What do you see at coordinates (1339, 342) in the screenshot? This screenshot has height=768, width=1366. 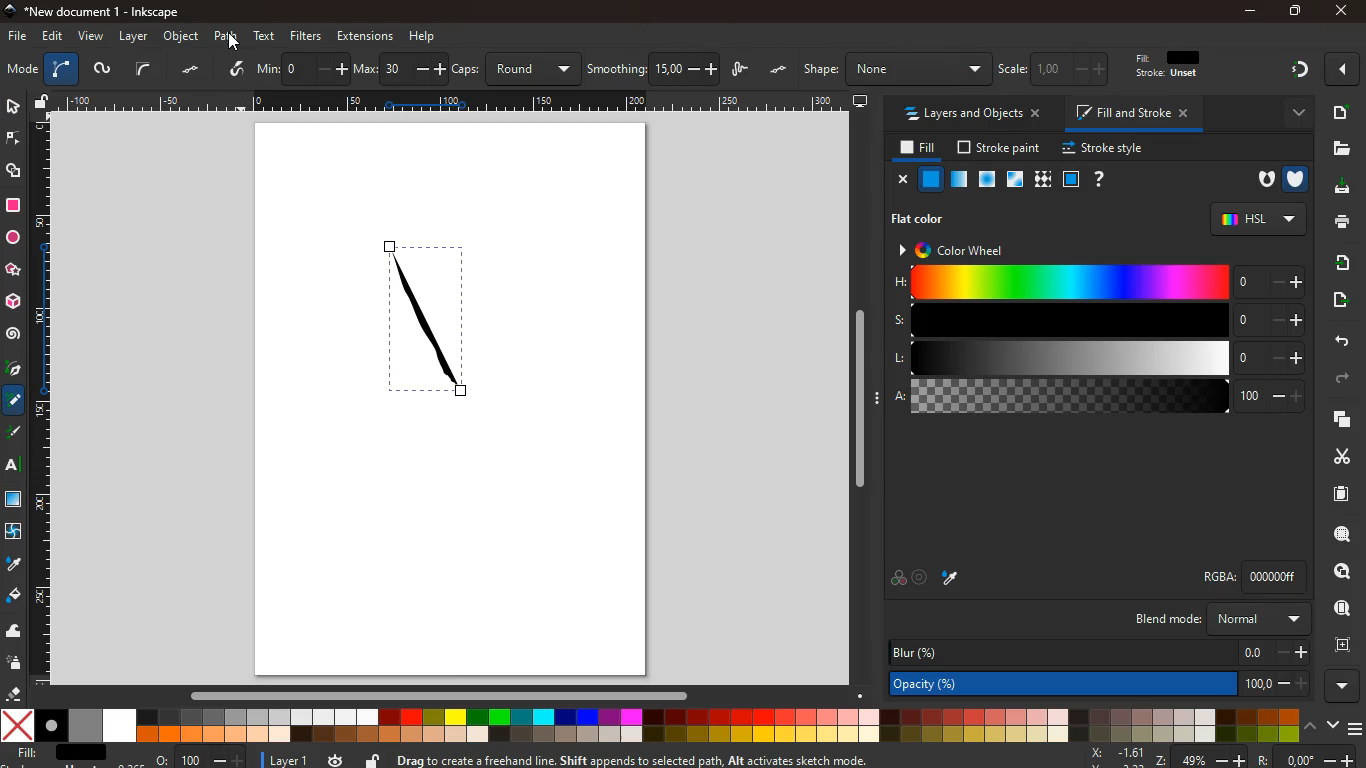 I see `back` at bounding box center [1339, 342].